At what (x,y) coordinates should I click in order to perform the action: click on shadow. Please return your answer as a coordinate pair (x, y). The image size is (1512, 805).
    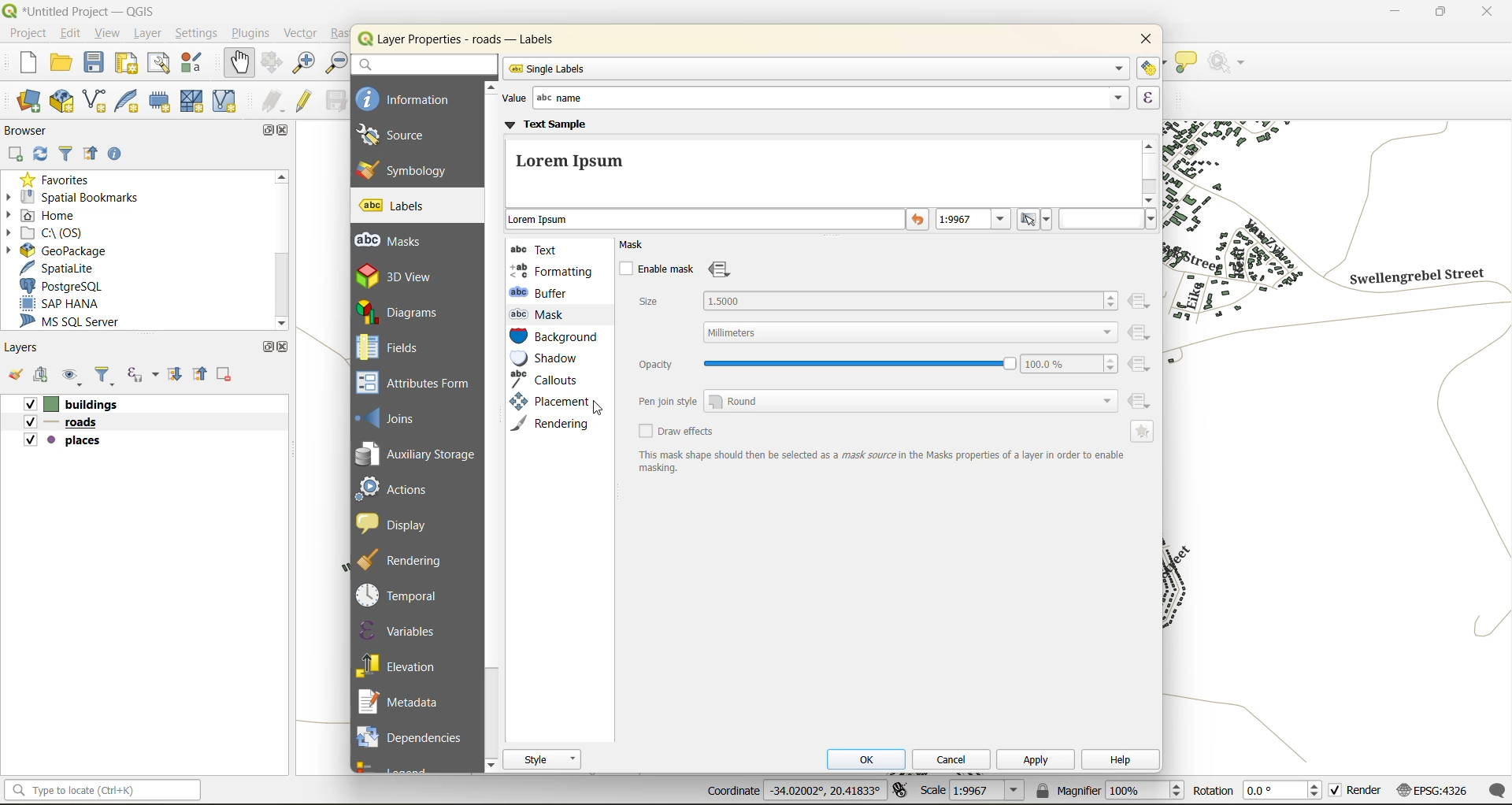
    Looking at the image, I should click on (554, 358).